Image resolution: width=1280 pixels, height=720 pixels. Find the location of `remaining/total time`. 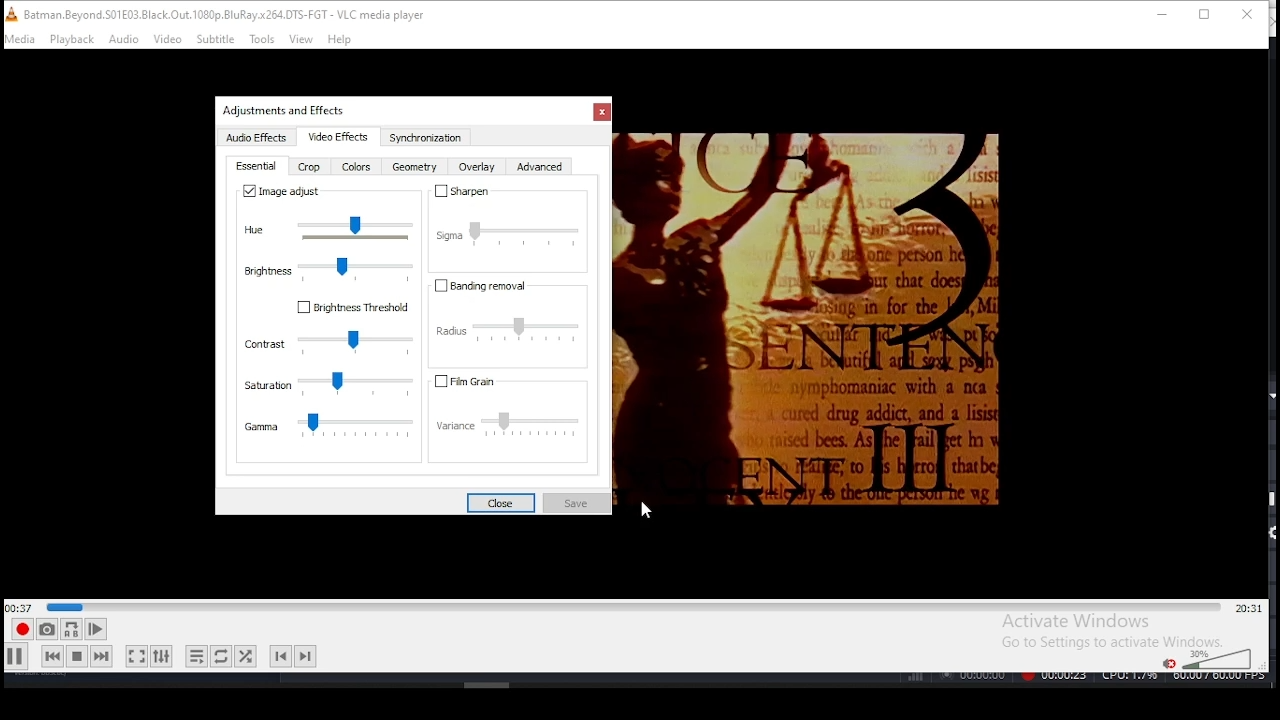

remaining/total time is located at coordinates (1248, 608).